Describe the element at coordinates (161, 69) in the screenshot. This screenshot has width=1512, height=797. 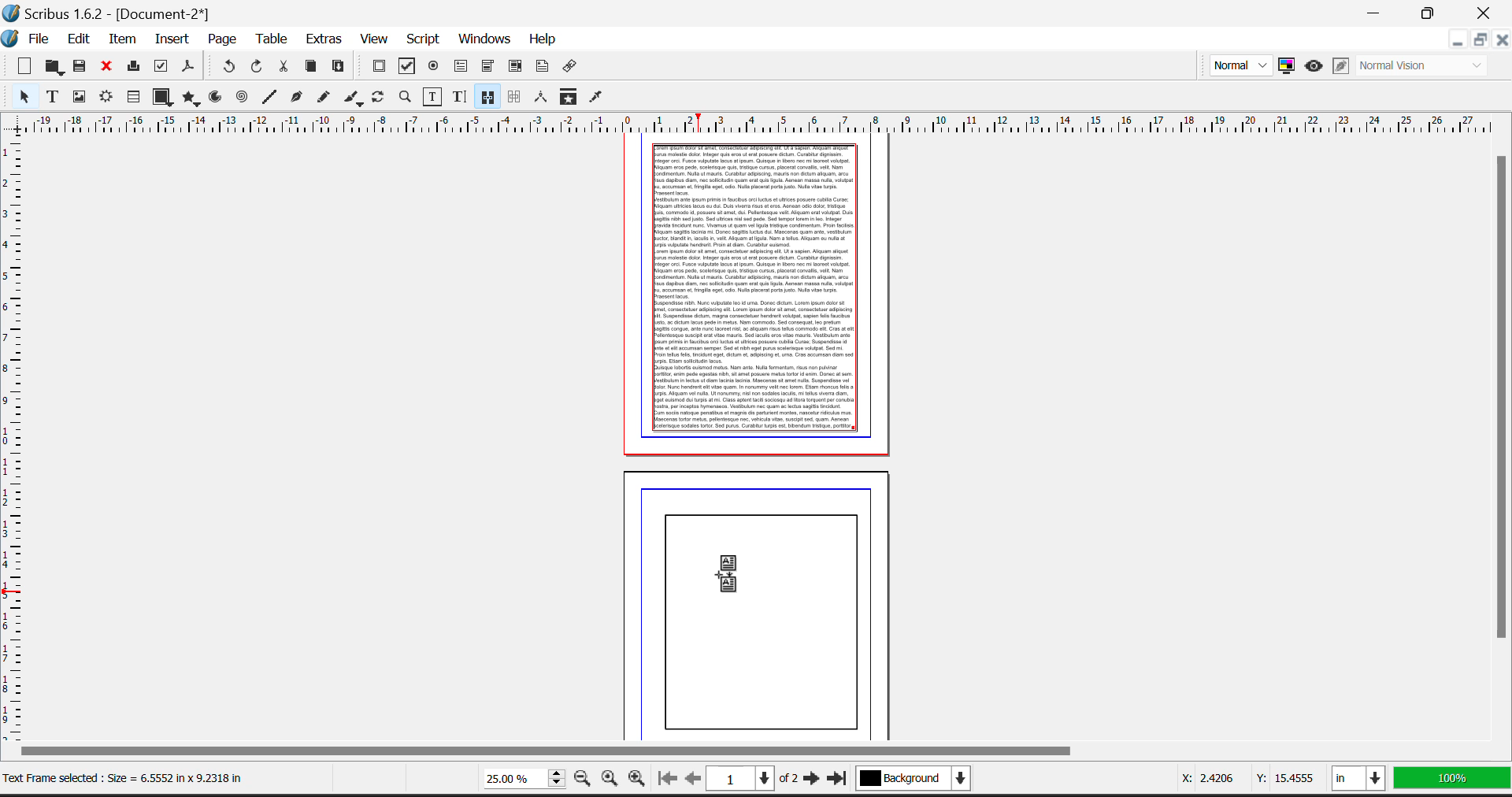
I see `Preflight Verifier` at that location.